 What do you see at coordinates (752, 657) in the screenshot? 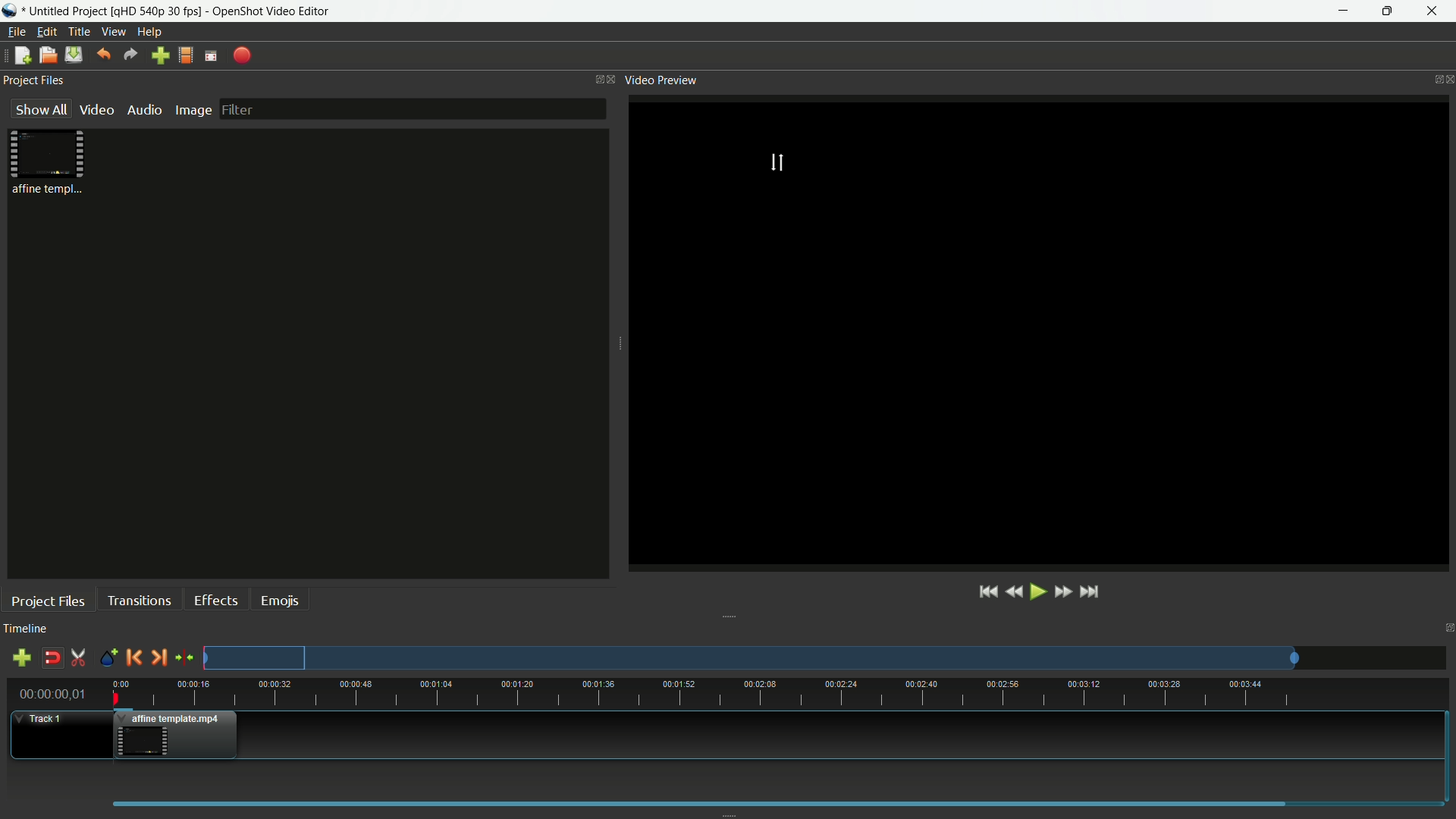
I see `track preview` at bounding box center [752, 657].